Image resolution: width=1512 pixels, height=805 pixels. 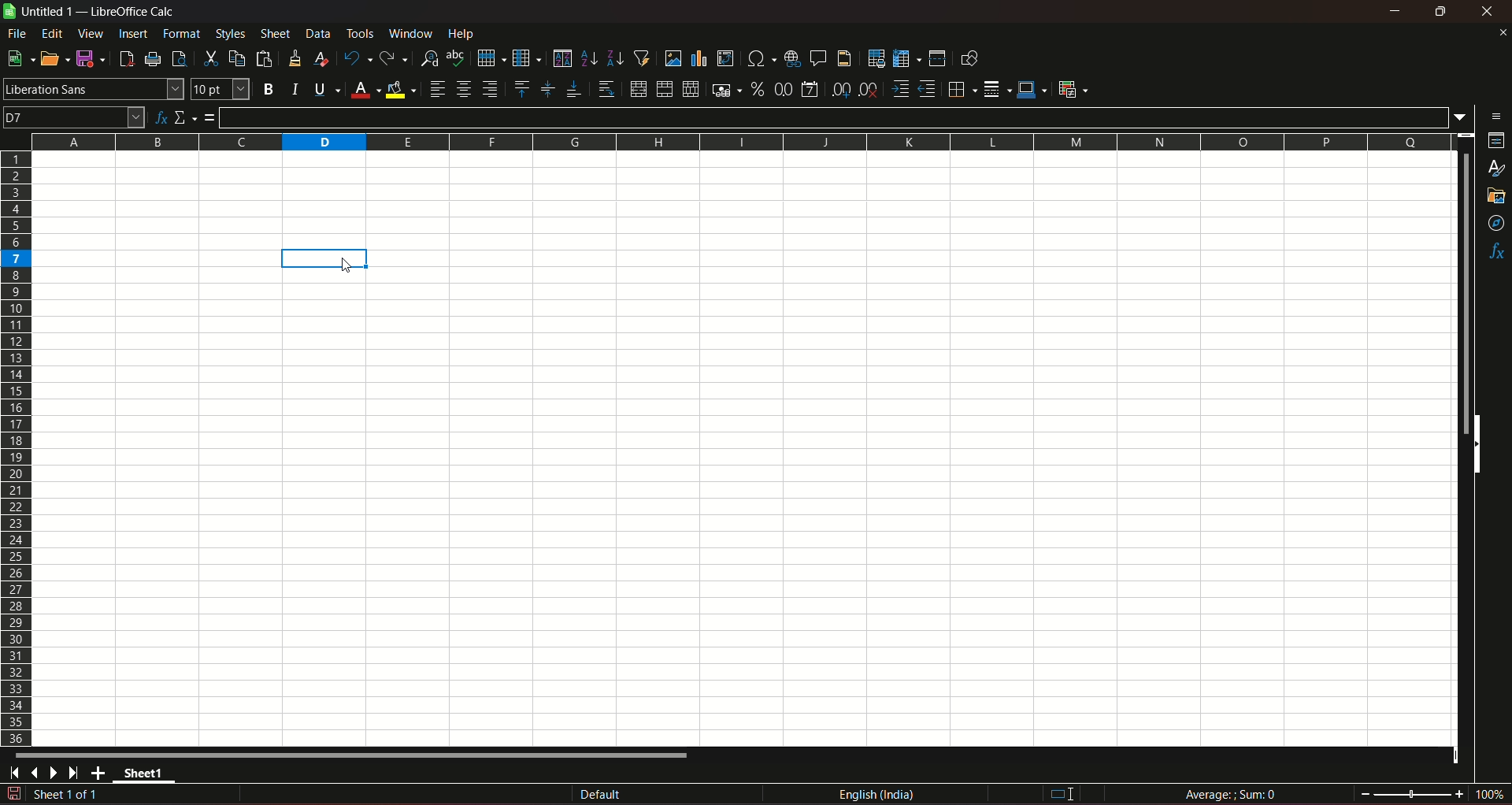 What do you see at coordinates (1477, 444) in the screenshot?
I see `side scrollbars` at bounding box center [1477, 444].